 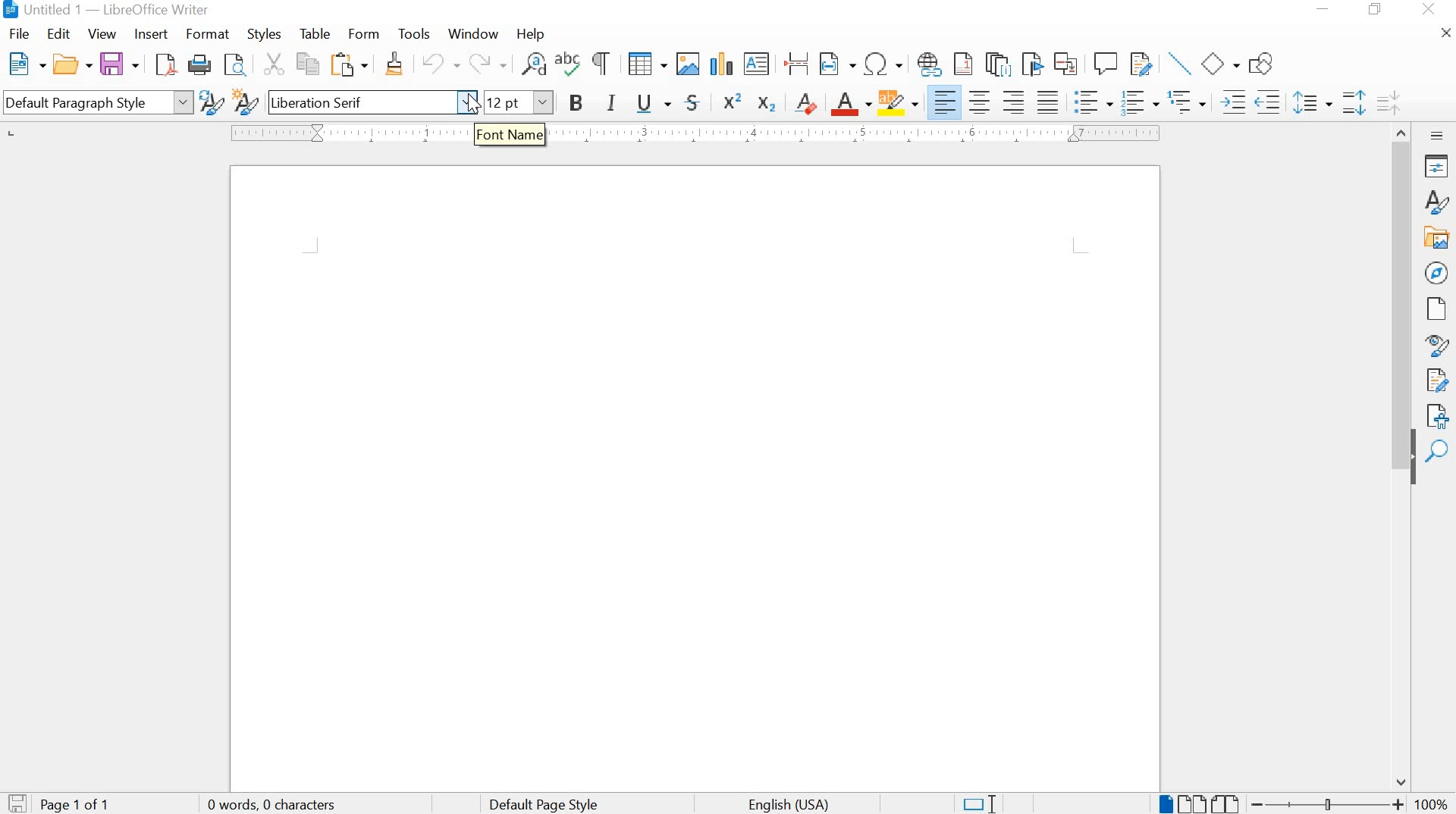 What do you see at coordinates (767, 102) in the screenshot?
I see `SUBSCRIPT` at bounding box center [767, 102].